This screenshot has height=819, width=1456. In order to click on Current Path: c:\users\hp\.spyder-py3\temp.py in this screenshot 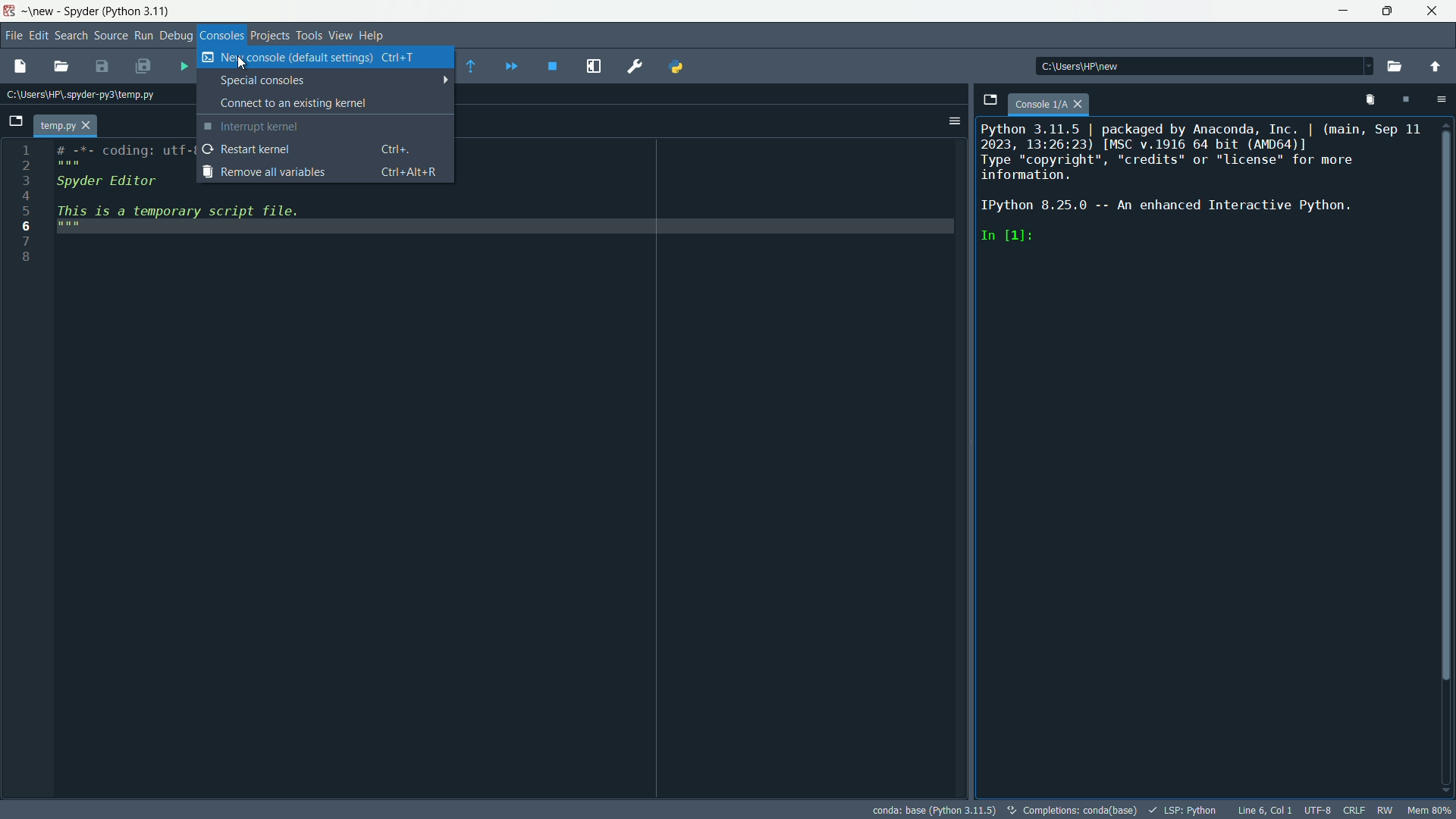, I will do `click(86, 94)`.